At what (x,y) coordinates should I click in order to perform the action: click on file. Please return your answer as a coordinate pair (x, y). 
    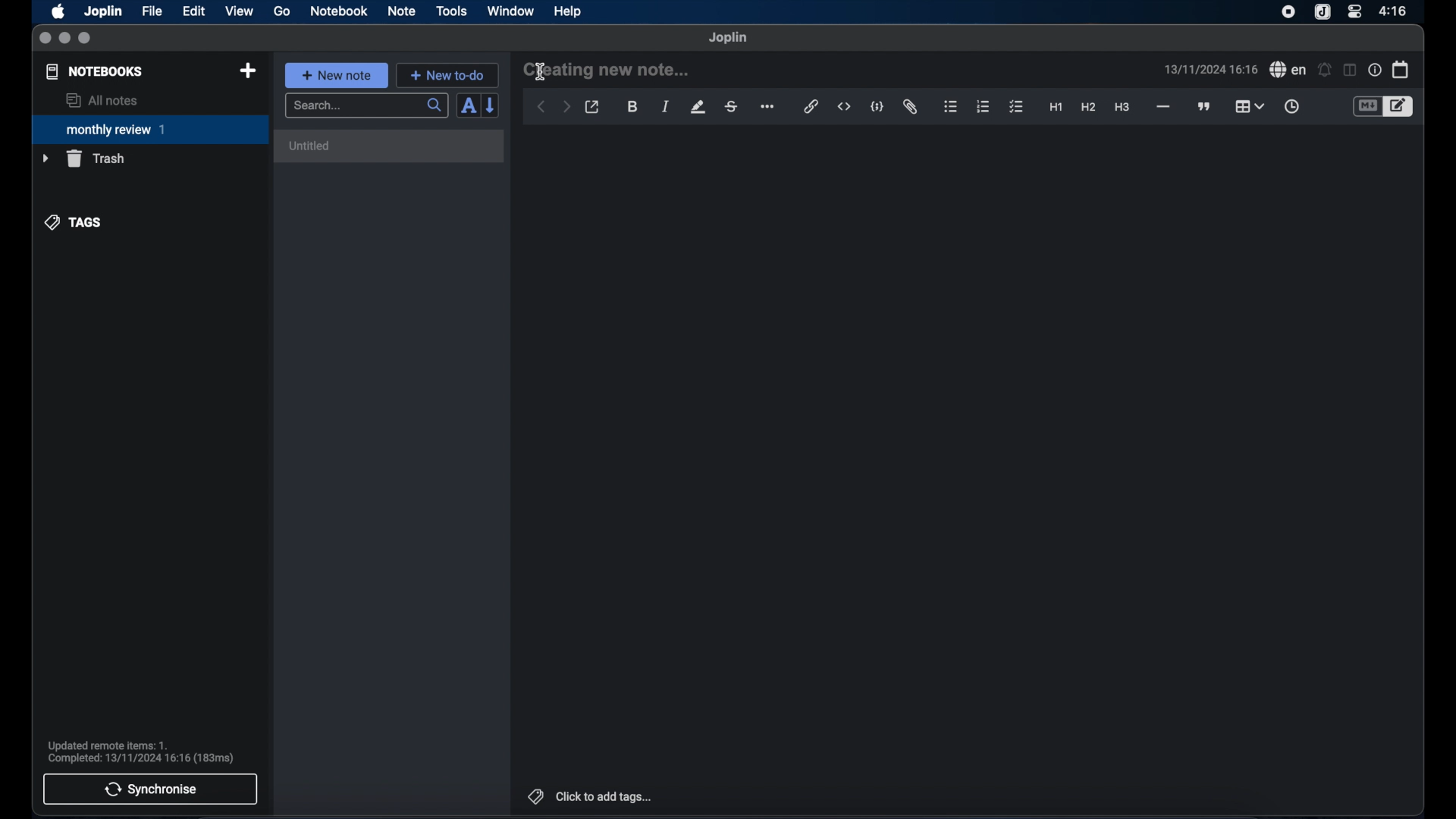
    Looking at the image, I should click on (152, 11).